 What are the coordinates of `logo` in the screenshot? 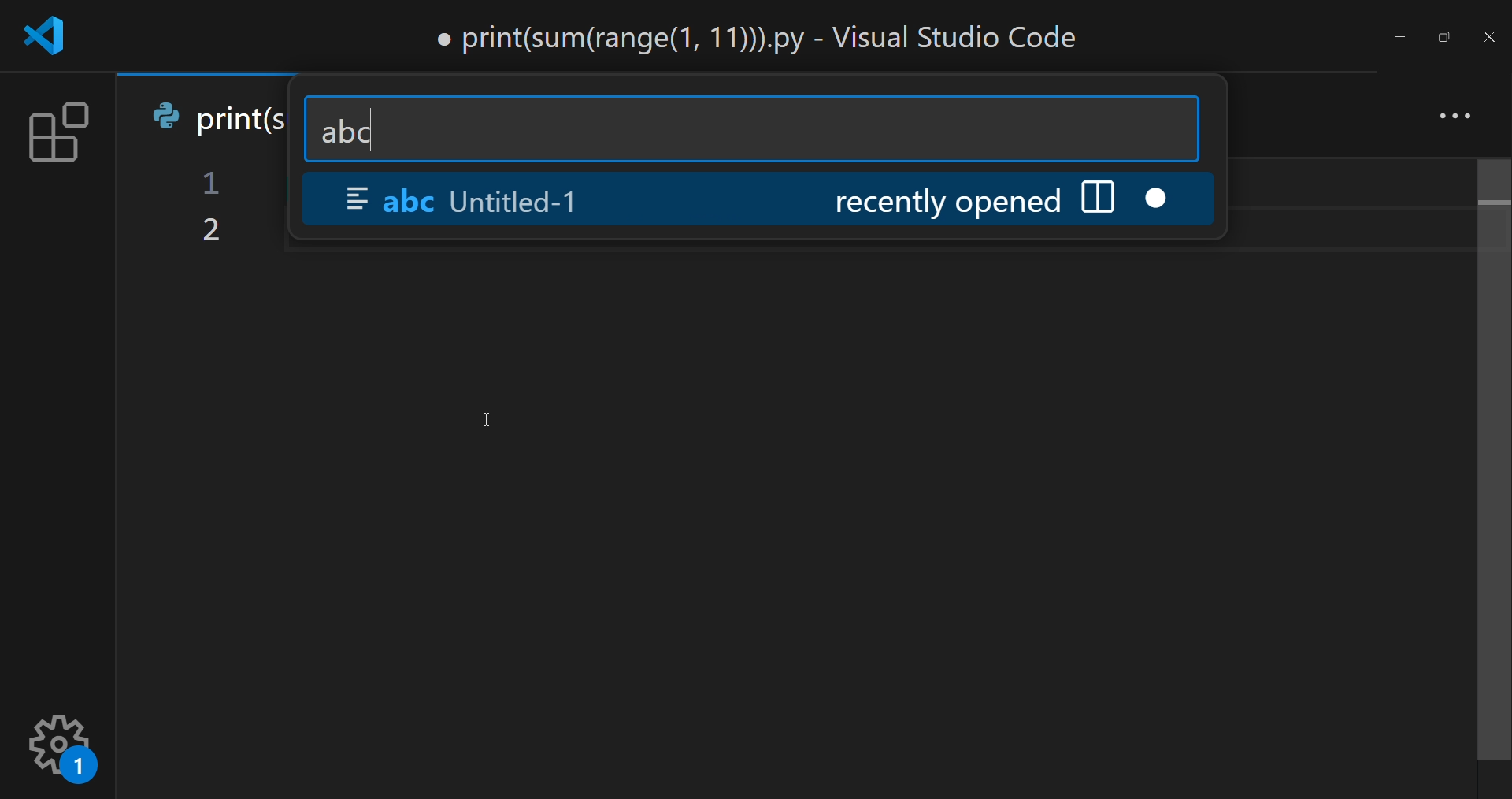 It's located at (47, 36).